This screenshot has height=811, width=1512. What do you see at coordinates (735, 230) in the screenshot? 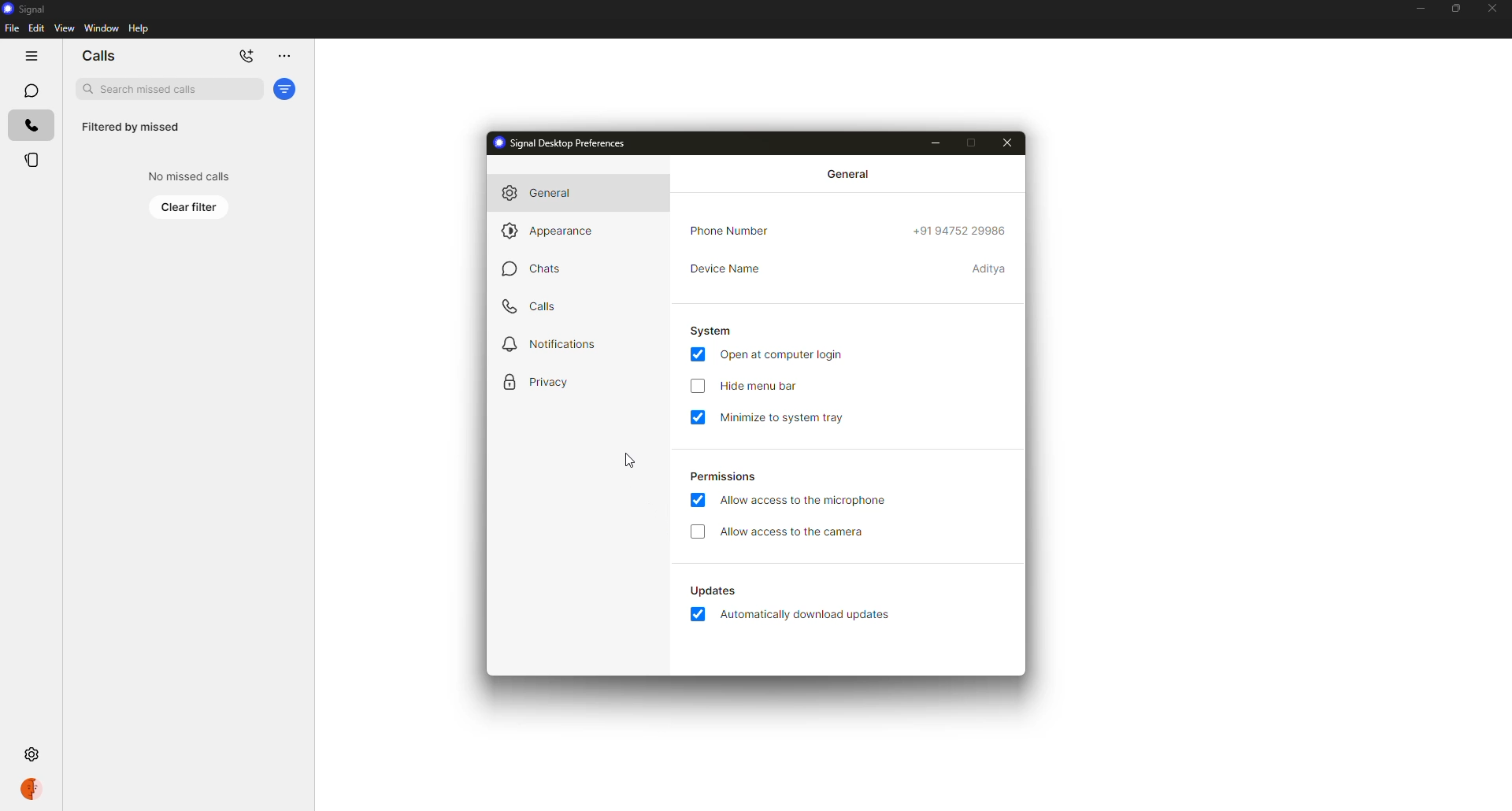
I see `phone number` at bounding box center [735, 230].